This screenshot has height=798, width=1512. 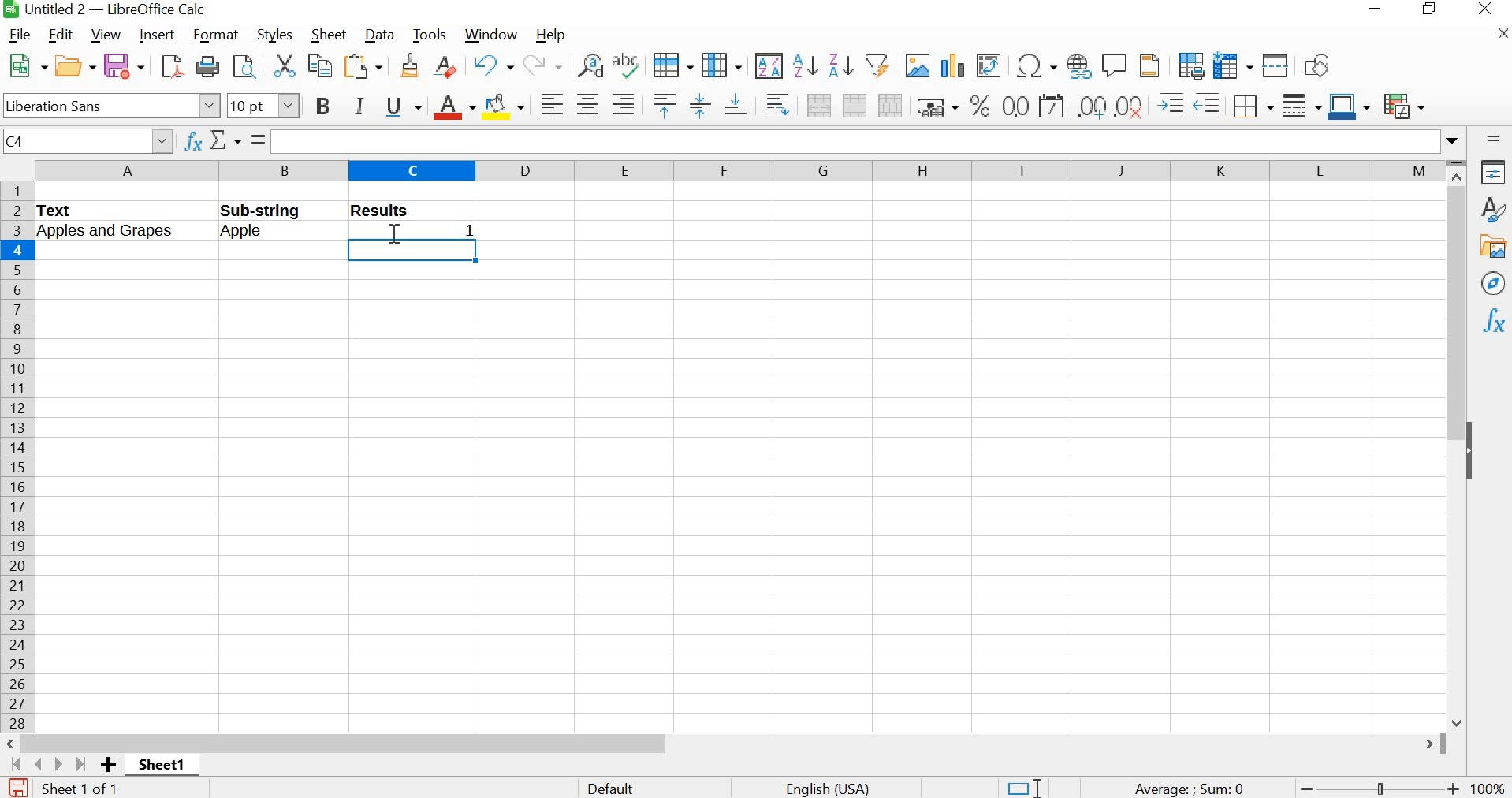 What do you see at coordinates (1502, 32) in the screenshot?
I see `close document` at bounding box center [1502, 32].